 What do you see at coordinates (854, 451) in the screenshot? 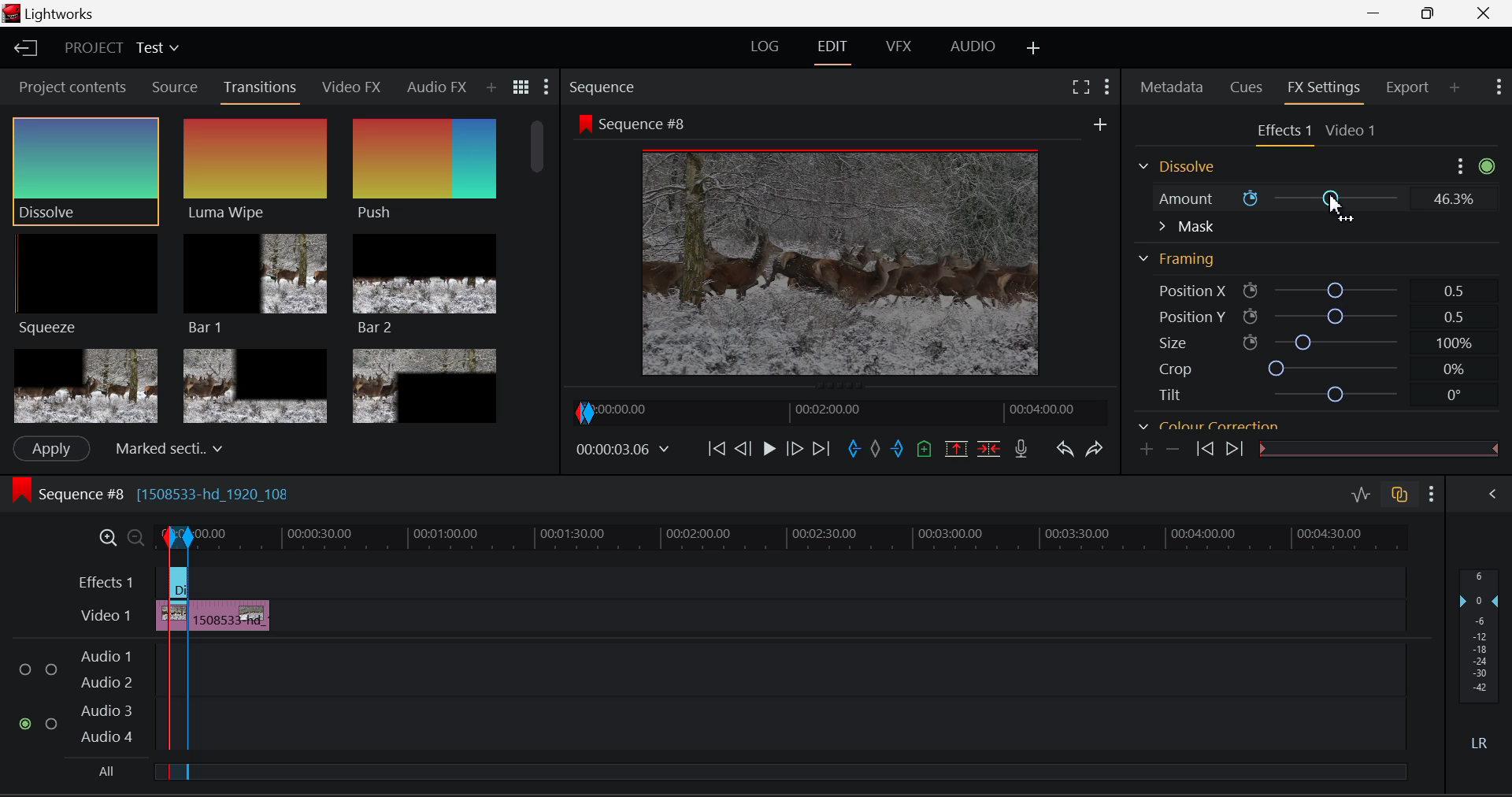
I see `Mark In Point` at bounding box center [854, 451].